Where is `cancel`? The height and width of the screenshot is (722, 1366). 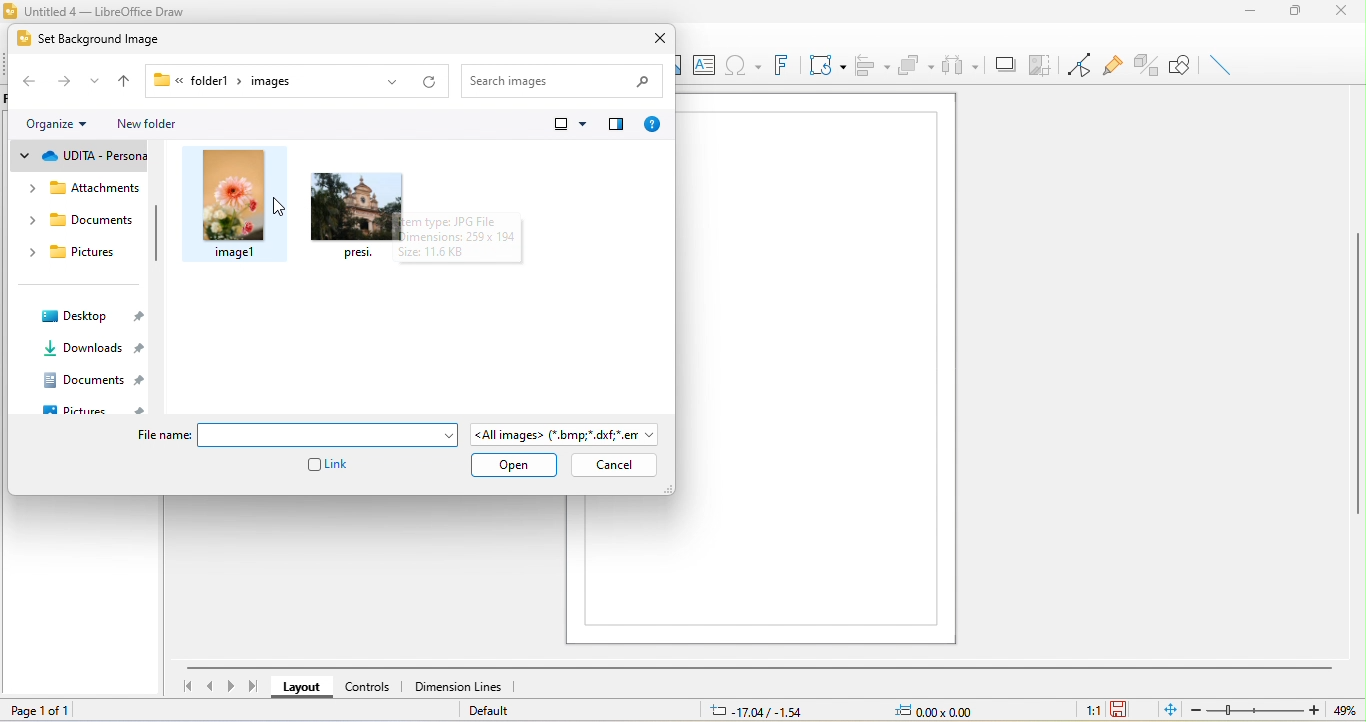 cancel is located at coordinates (613, 465).